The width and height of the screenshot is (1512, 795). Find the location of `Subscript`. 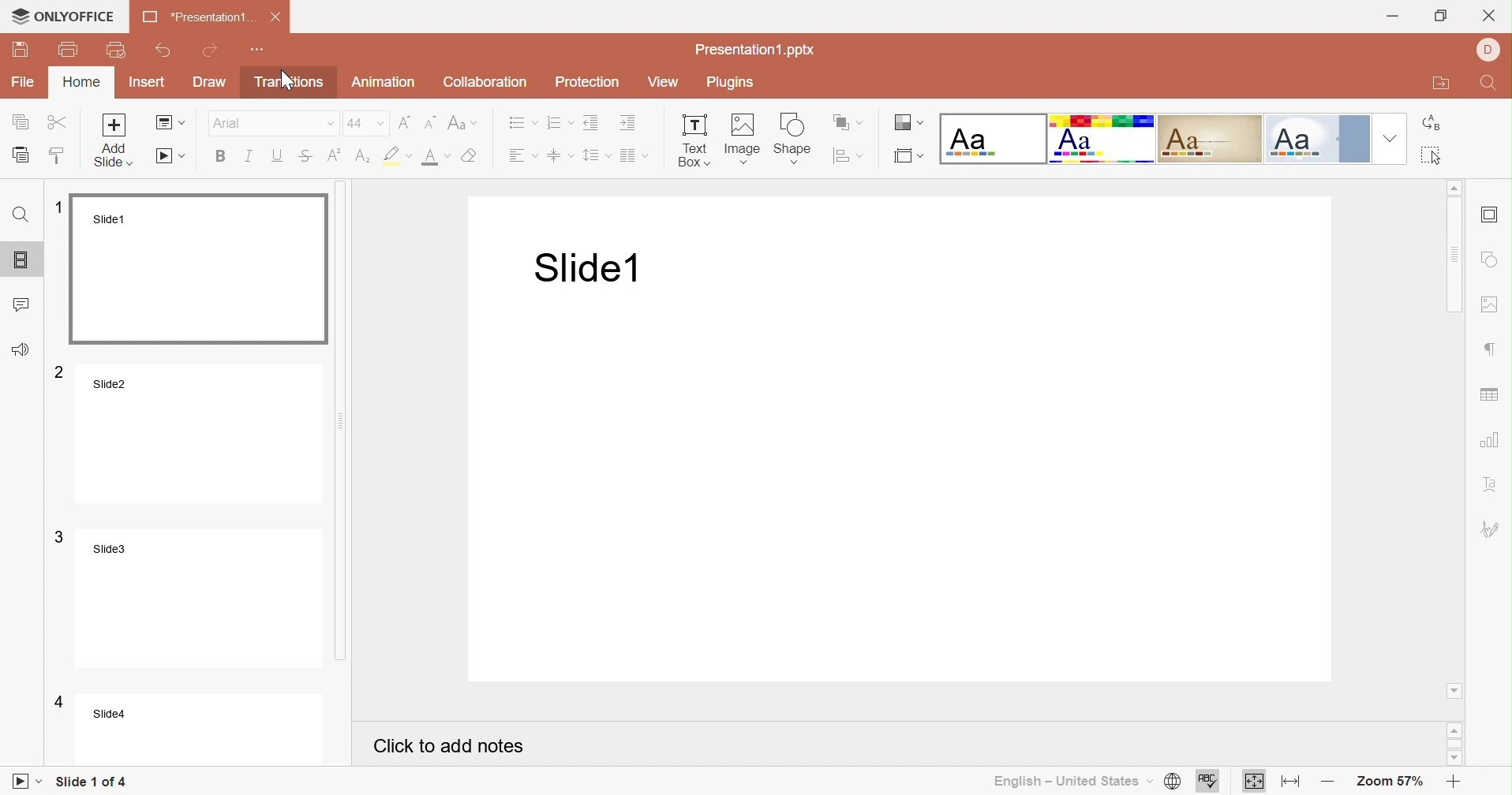

Subscript is located at coordinates (363, 157).